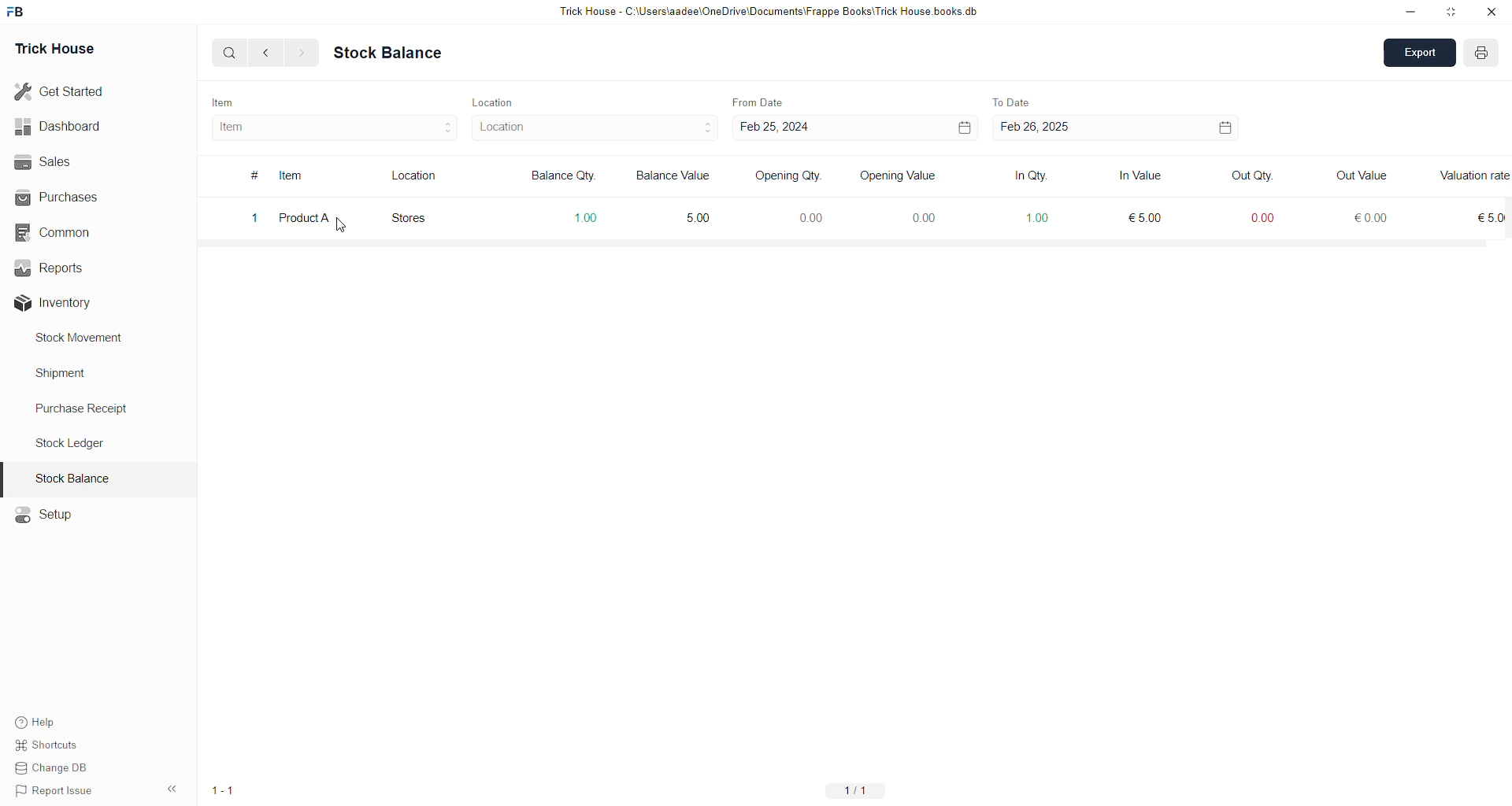  Describe the element at coordinates (413, 176) in the screenshot. I see `Location` at that location.